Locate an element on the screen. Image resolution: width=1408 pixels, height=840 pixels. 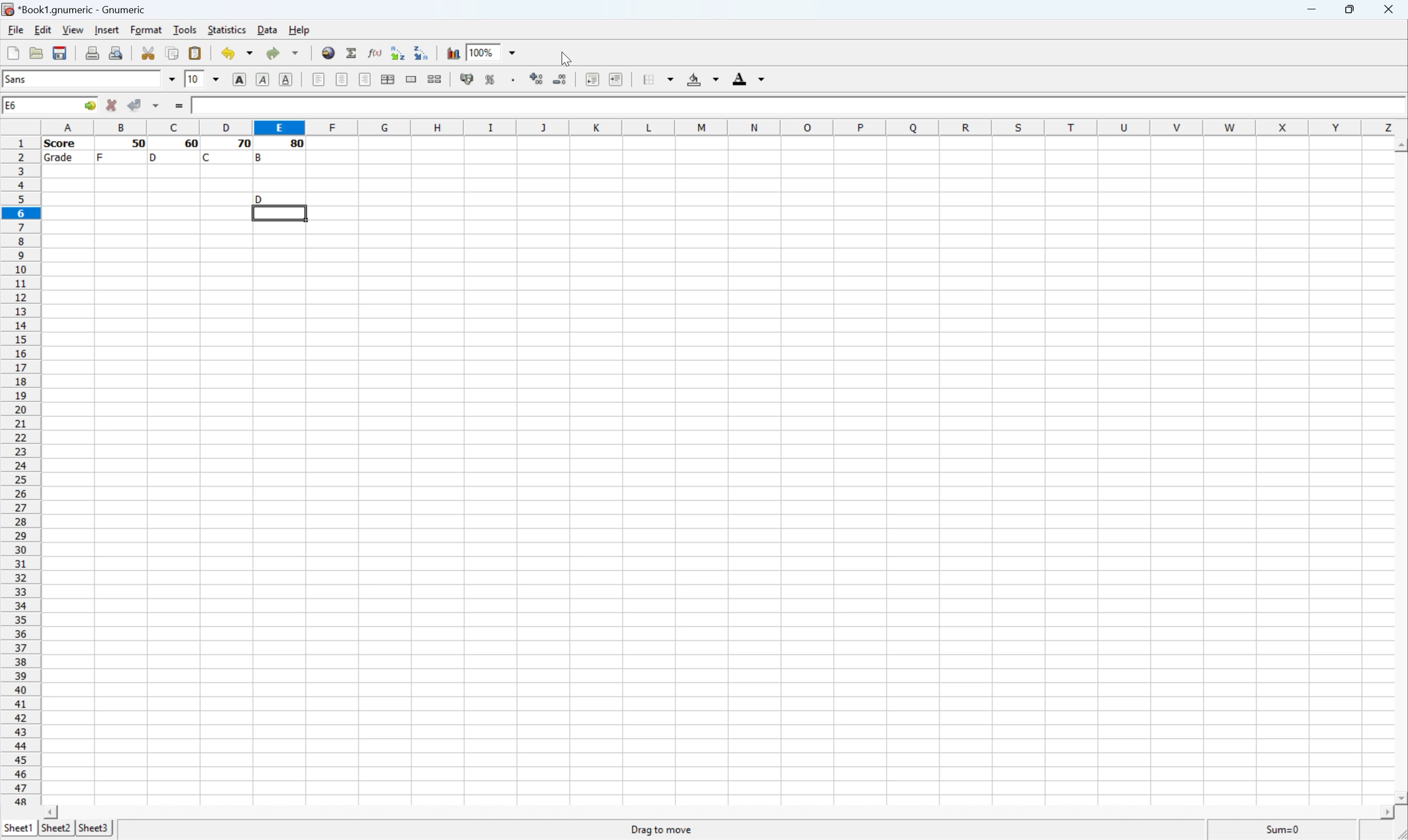
Open a file is located at coordinates (38, 52).